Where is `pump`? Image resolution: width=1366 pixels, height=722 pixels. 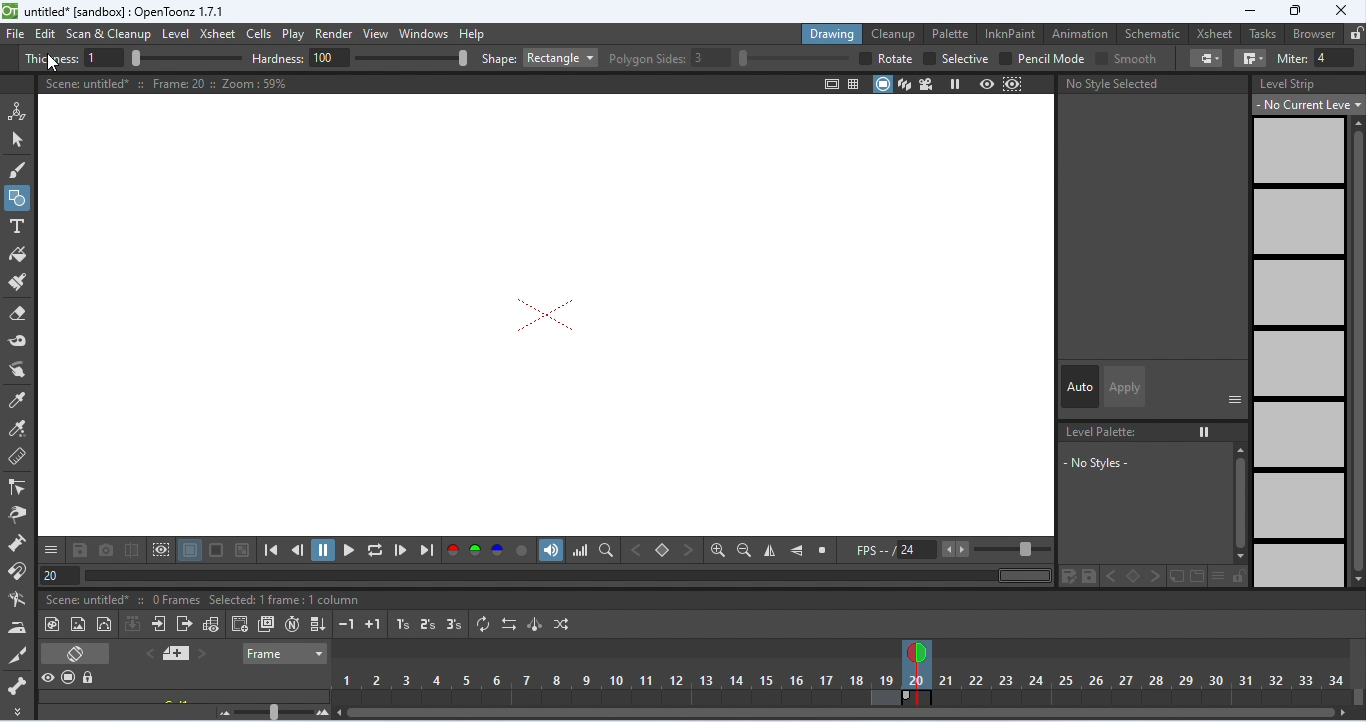
pump is located at coordinates (18, 542).